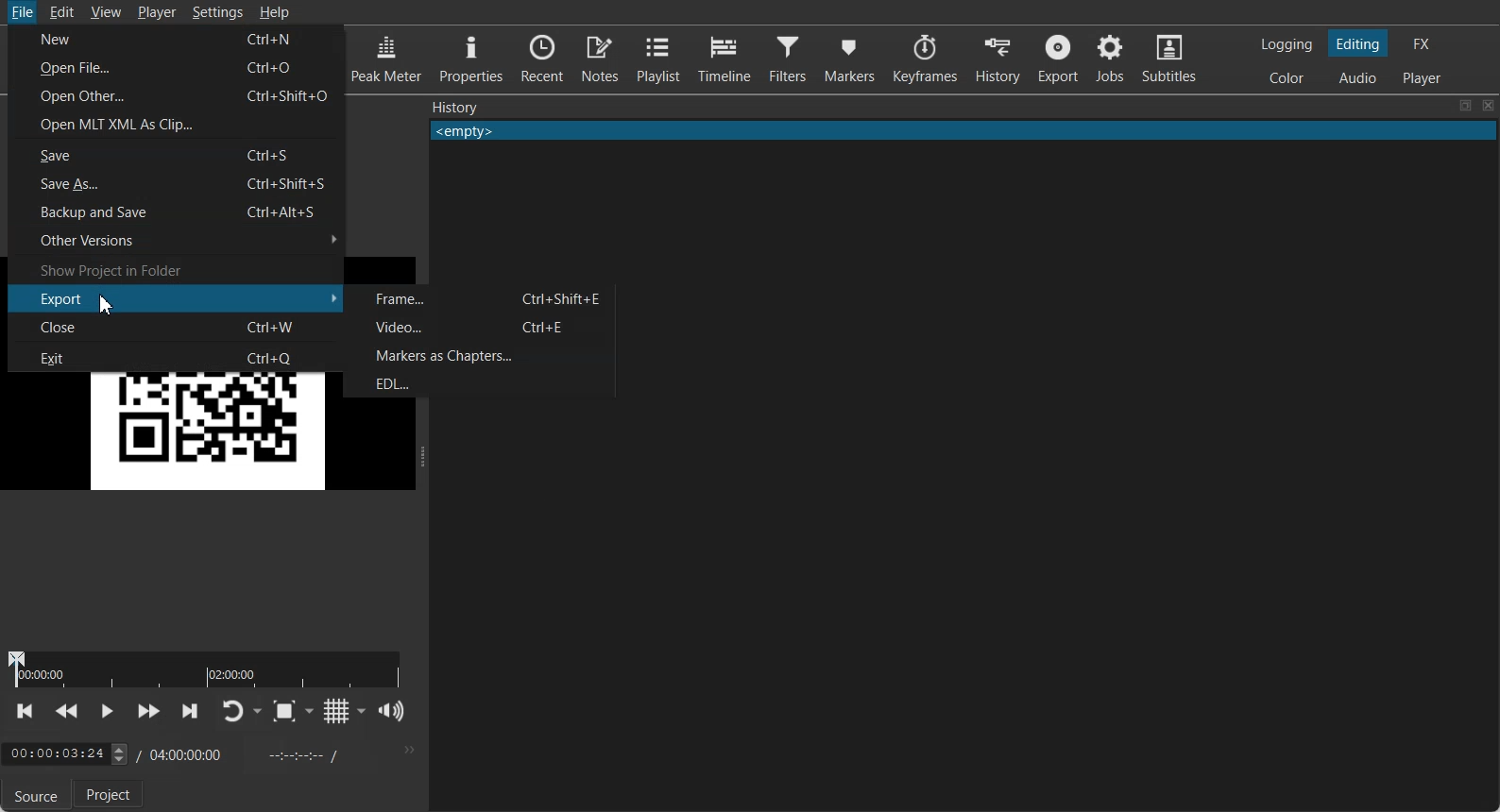 This screenshot has width=1500, height=812. What do you see at coordinates (277, 40) in the screenshot?
I see `Ctrl+N` at bounding box center [277, 40].